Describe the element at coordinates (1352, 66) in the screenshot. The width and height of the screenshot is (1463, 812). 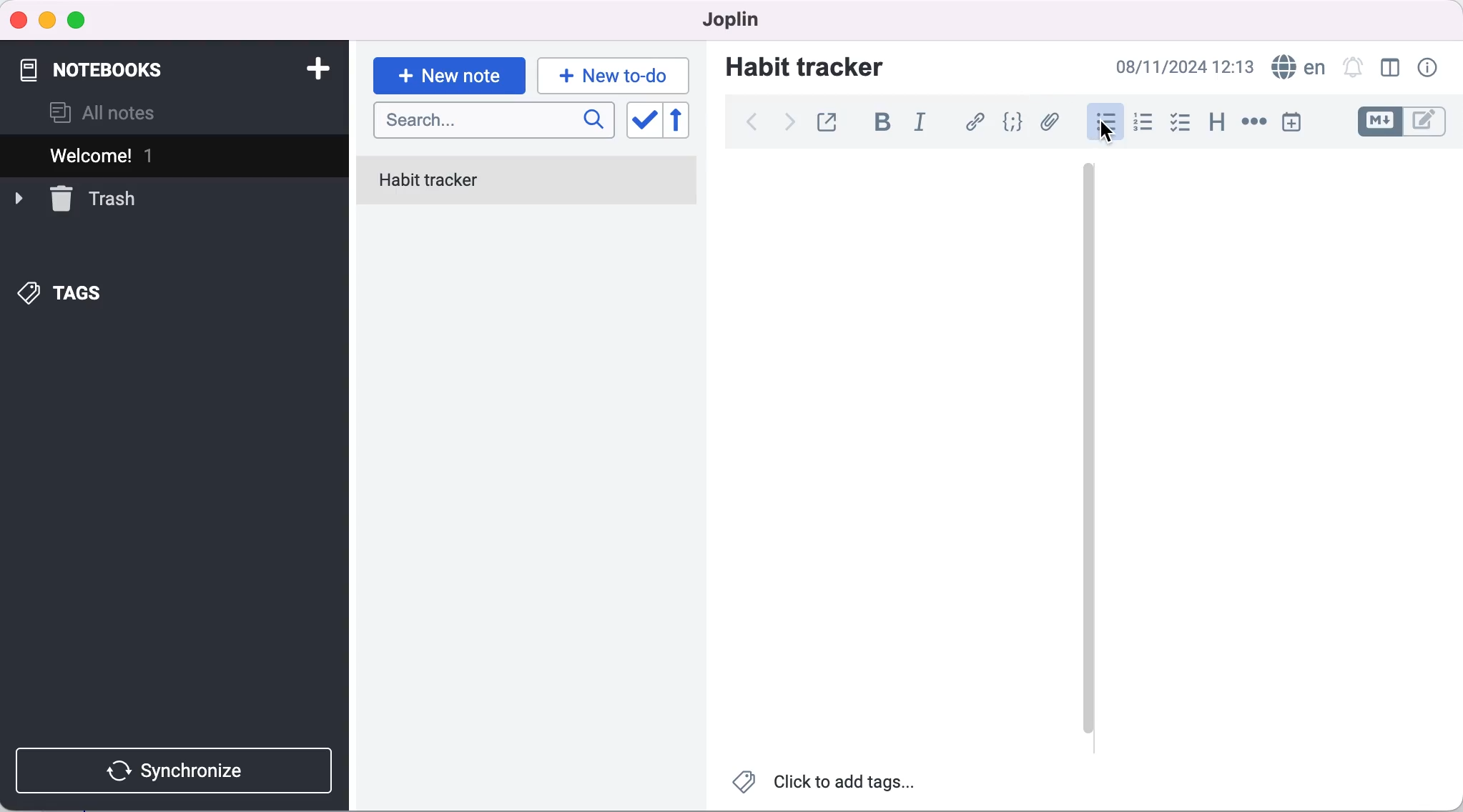
I see `set alarm` at that location.